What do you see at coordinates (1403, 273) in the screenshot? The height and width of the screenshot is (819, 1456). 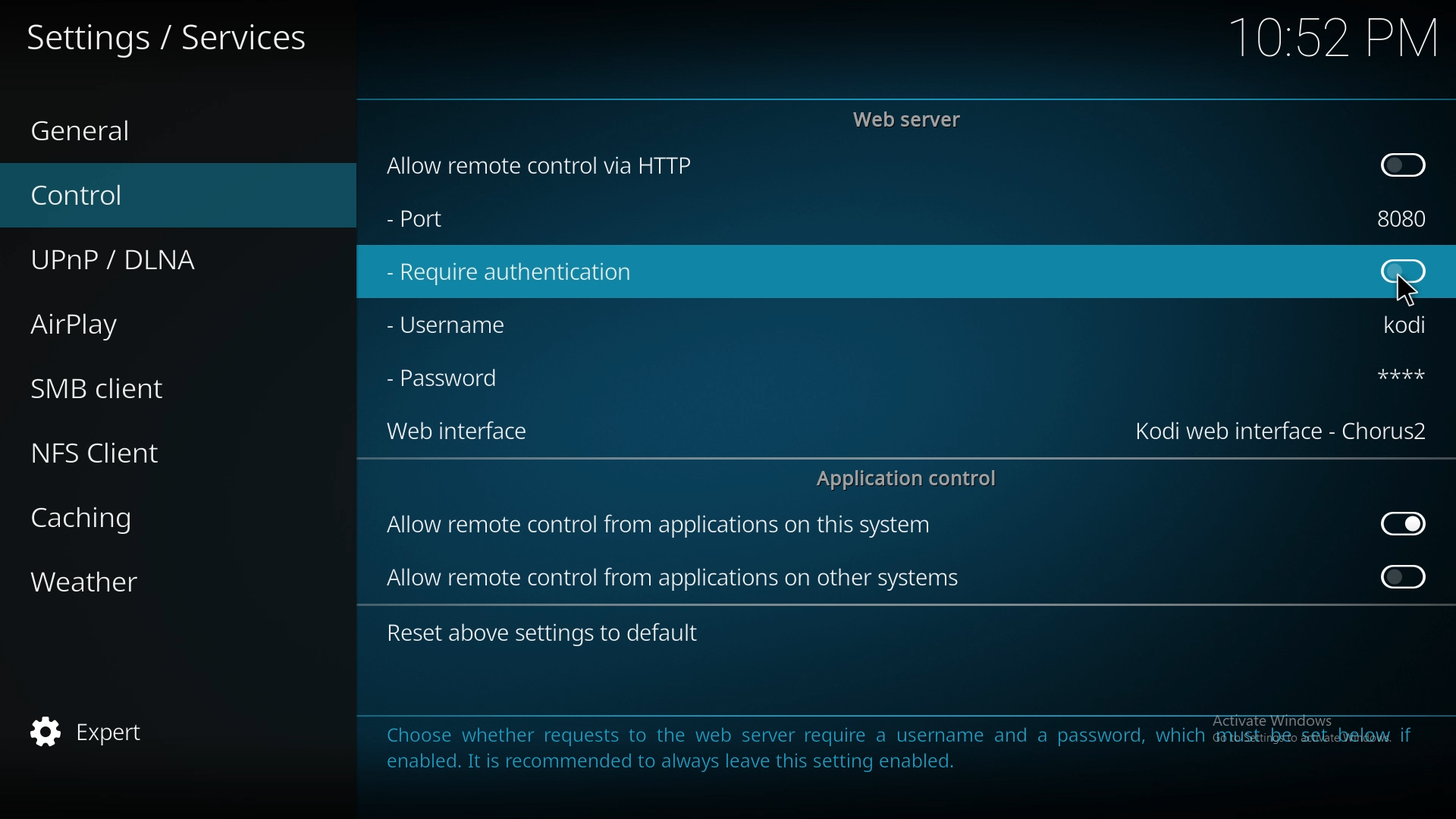 I see `toggle` at bounding box center [1403, 273].